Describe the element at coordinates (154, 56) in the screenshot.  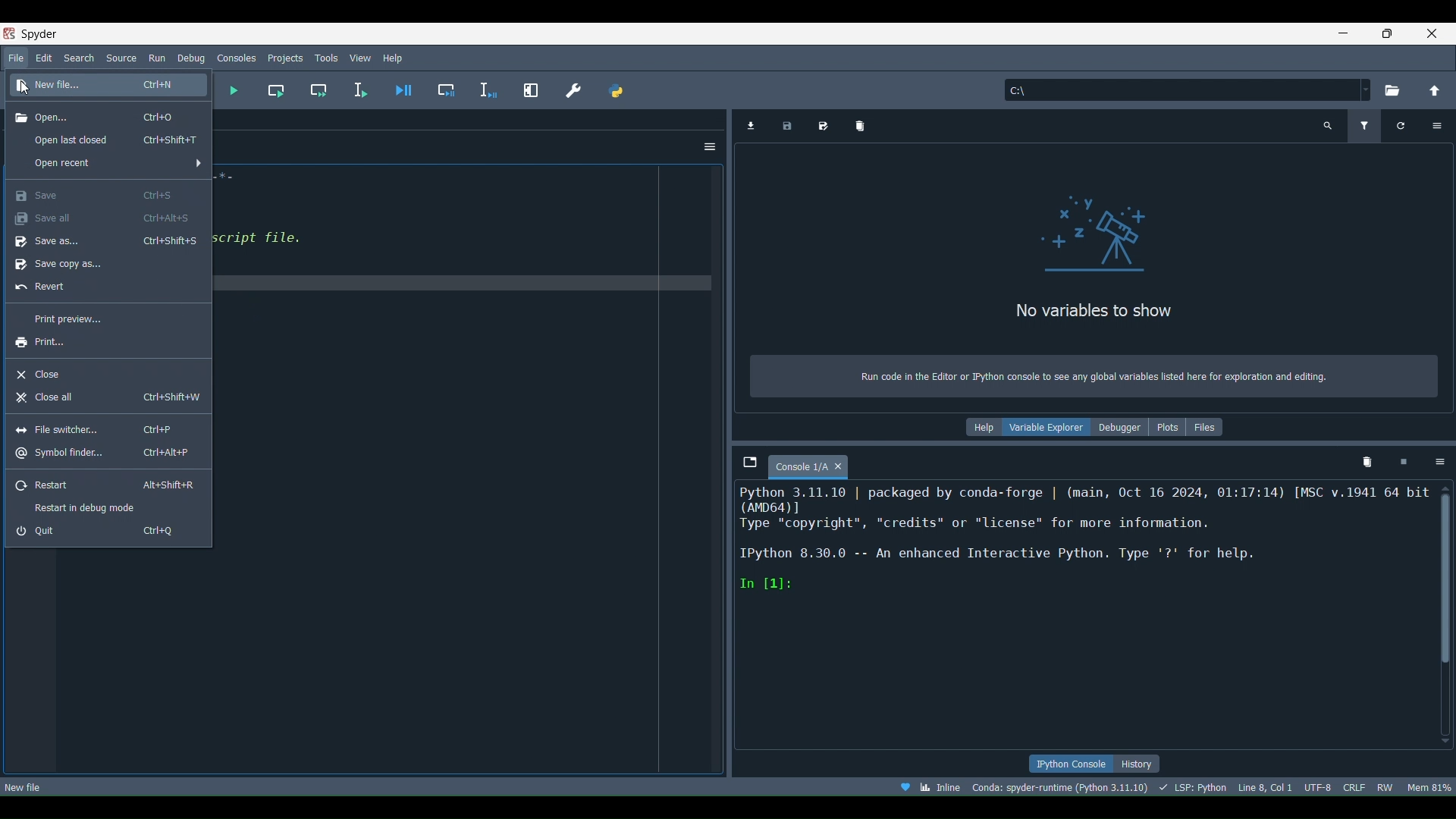
I see `Run` at that location.